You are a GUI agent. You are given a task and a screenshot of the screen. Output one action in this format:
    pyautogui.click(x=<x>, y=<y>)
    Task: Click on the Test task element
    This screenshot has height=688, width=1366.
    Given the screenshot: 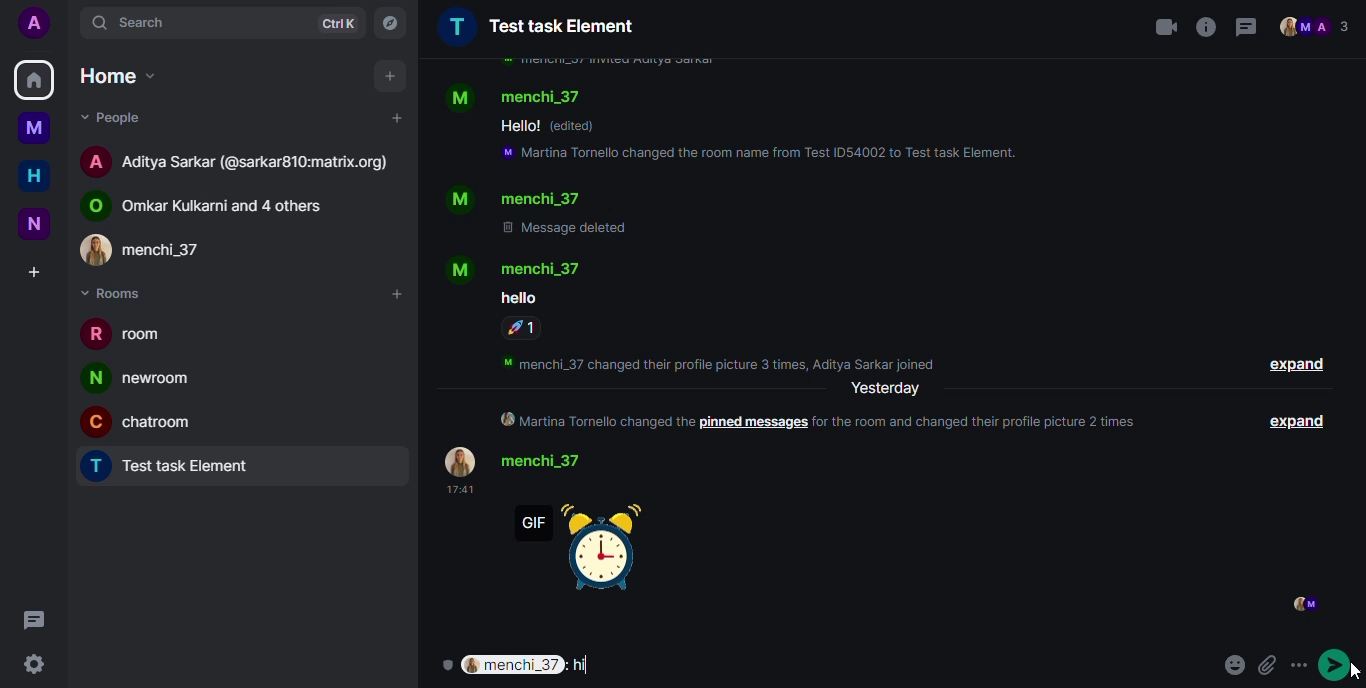 What is the action you would take?
    pyautogui.click(x=537, y=26)
    